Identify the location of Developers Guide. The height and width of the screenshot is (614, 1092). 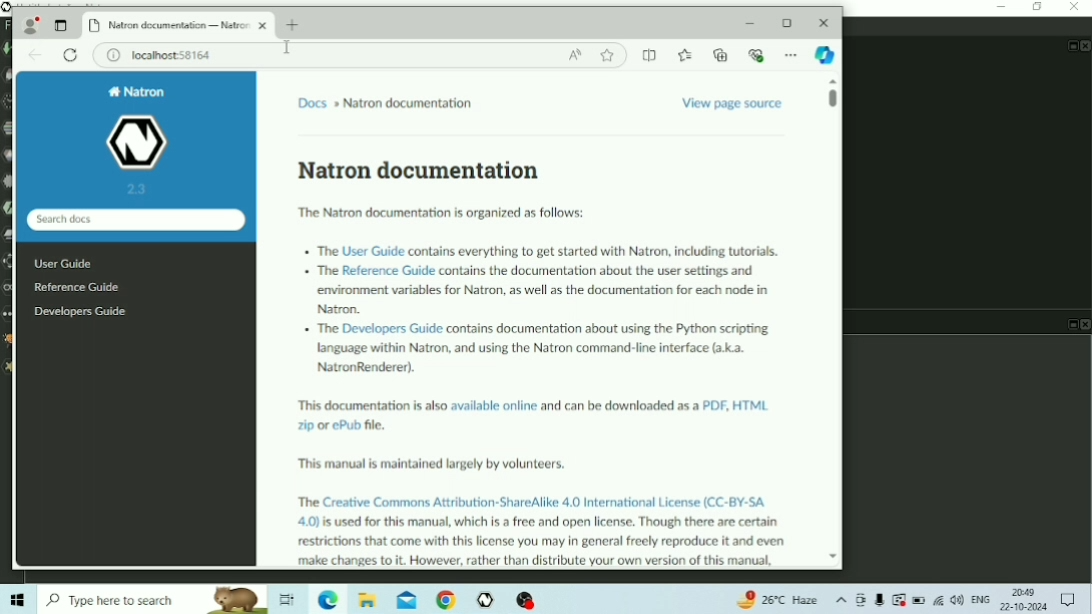
(79, 312).